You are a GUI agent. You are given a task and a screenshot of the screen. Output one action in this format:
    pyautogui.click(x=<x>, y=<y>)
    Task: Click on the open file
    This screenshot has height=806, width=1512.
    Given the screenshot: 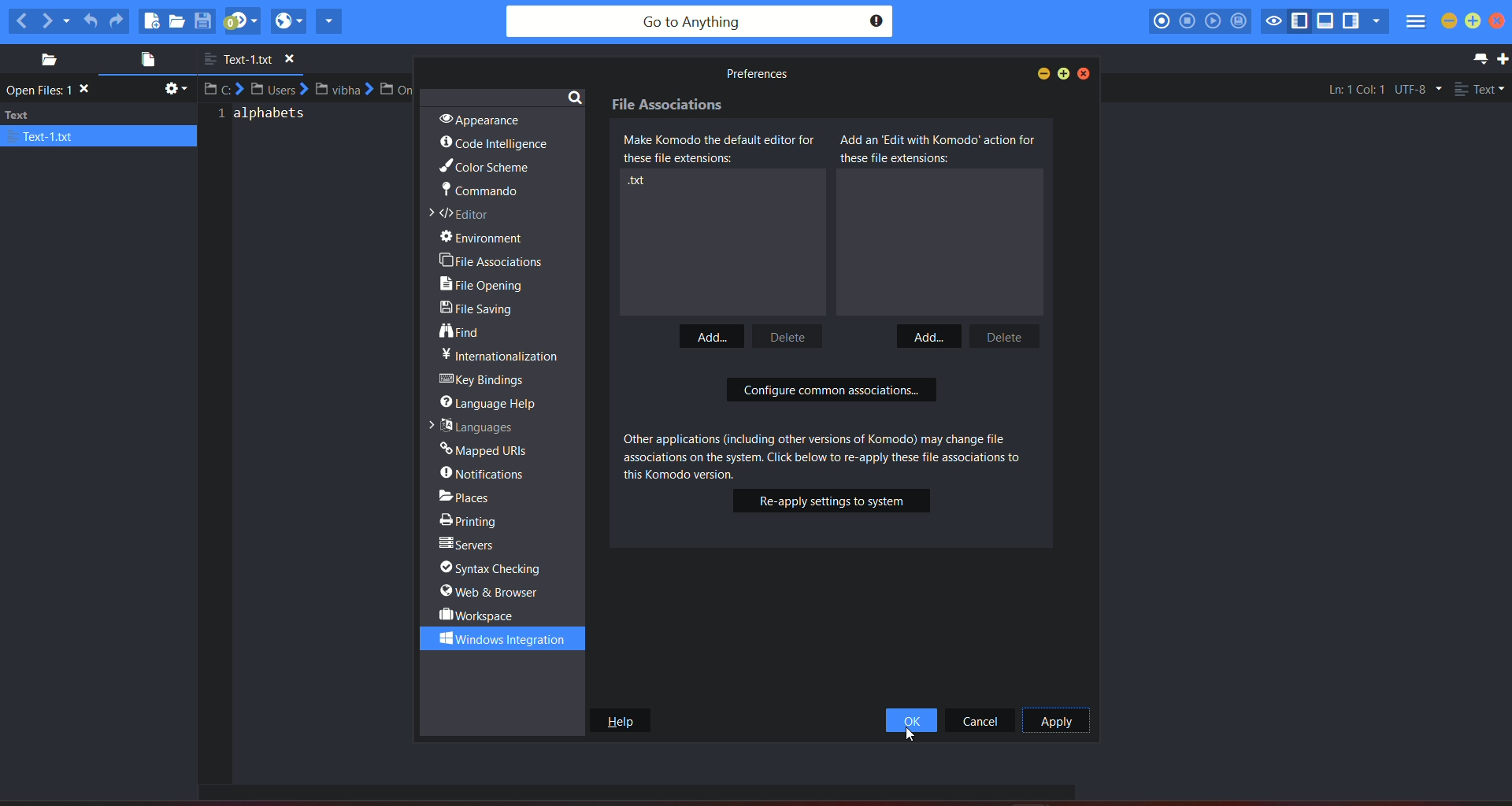 What is the action you would take?
    pyautogui.click(x=178, y=22)
    